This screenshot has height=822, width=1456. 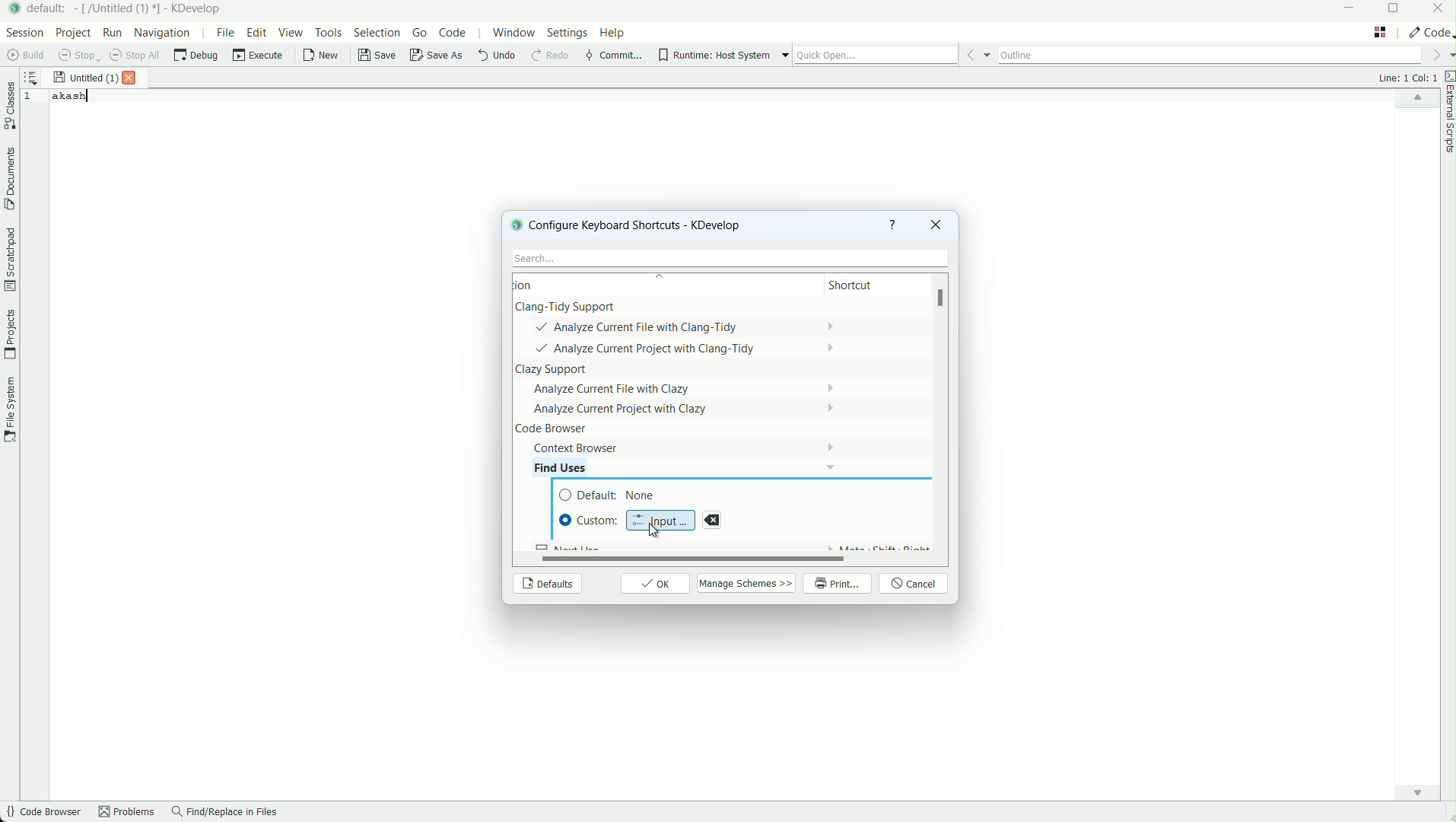 What do you see at coordinates (546, 585) in the screenshot?
I see `defaults` at bounding box center [546, 585].